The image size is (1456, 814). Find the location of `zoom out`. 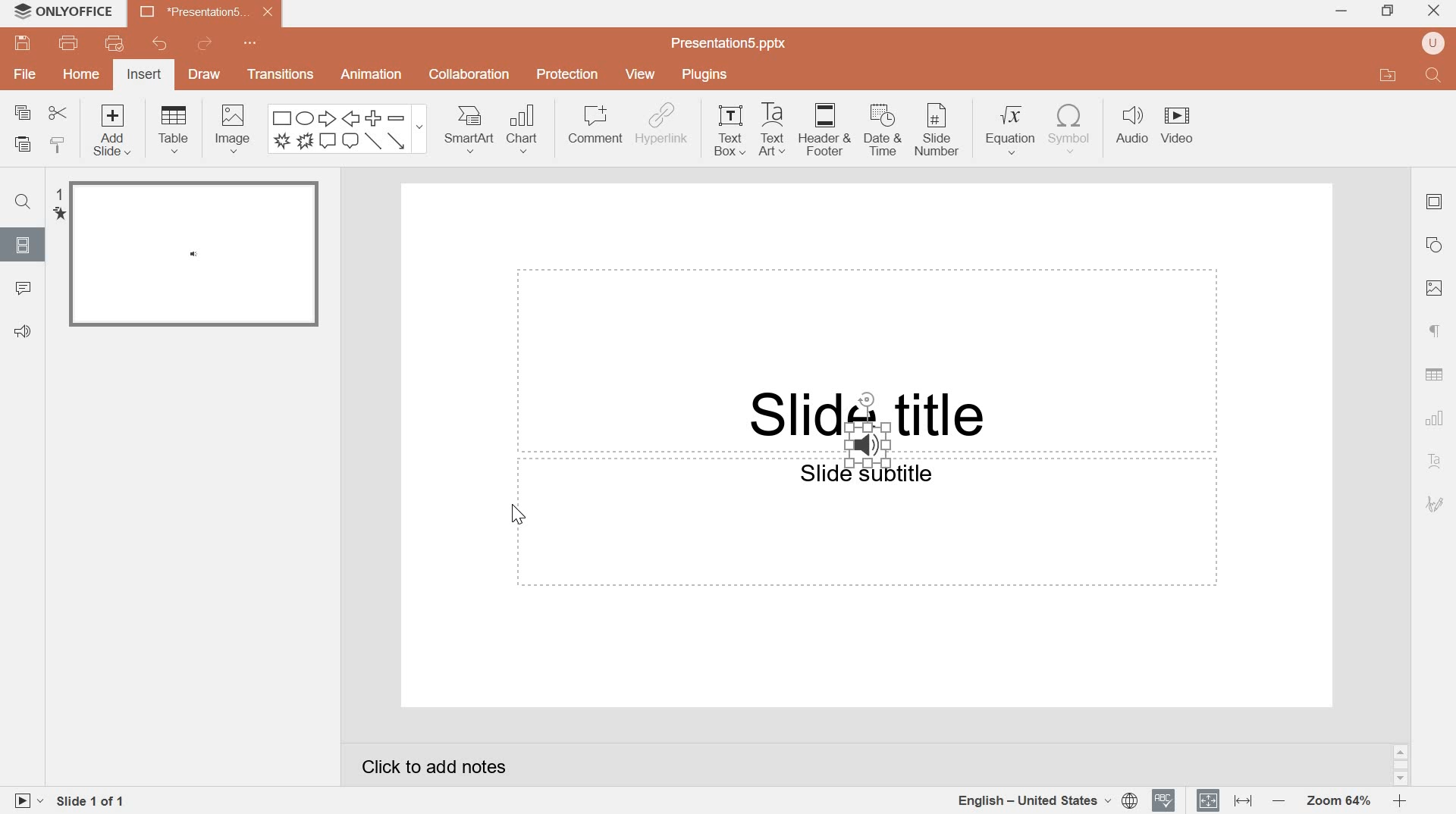

zoom out is located at coordinates (1276, 800).